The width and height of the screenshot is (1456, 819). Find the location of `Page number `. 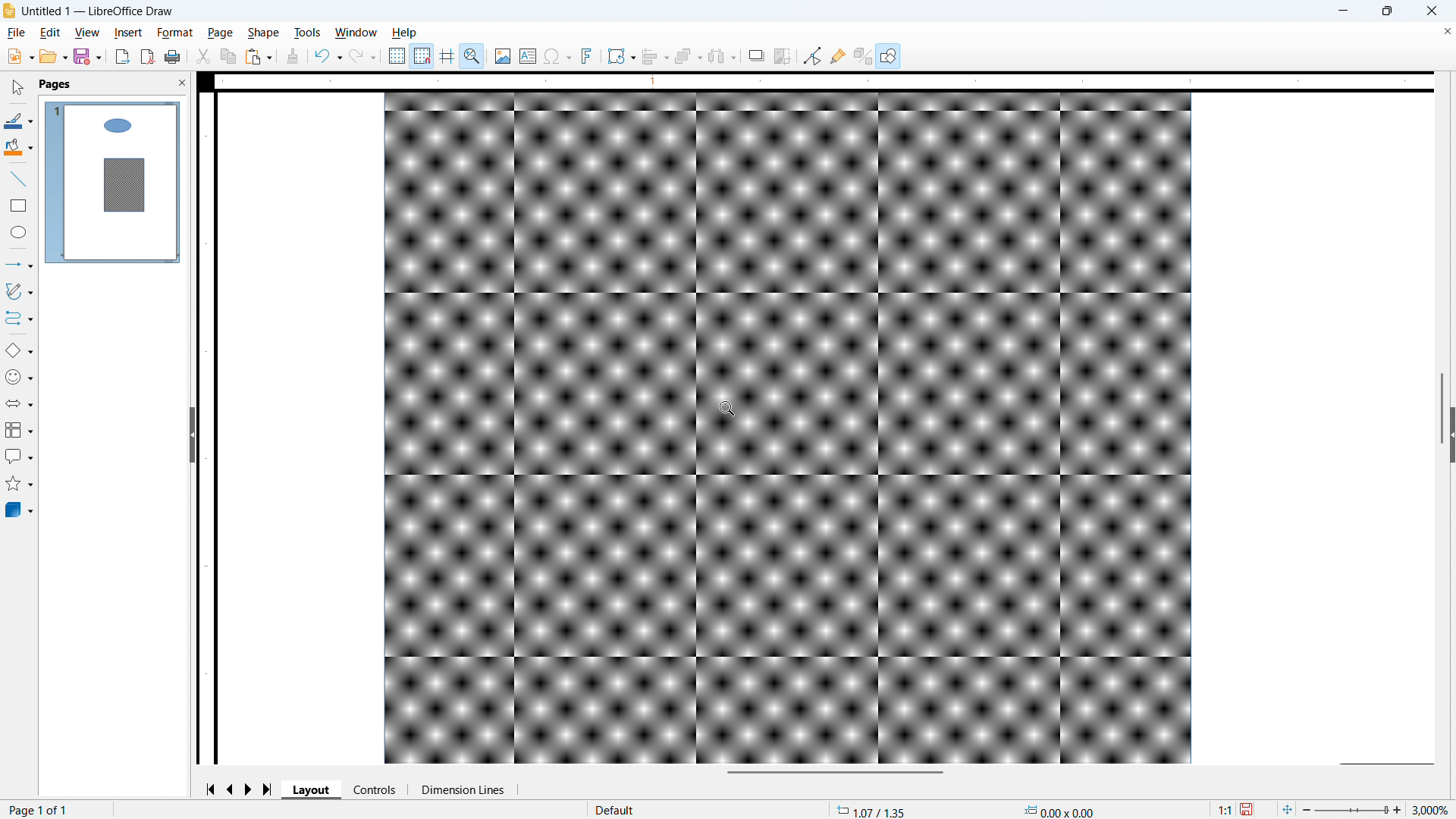

Page number  is located at coordinates (40, 811).